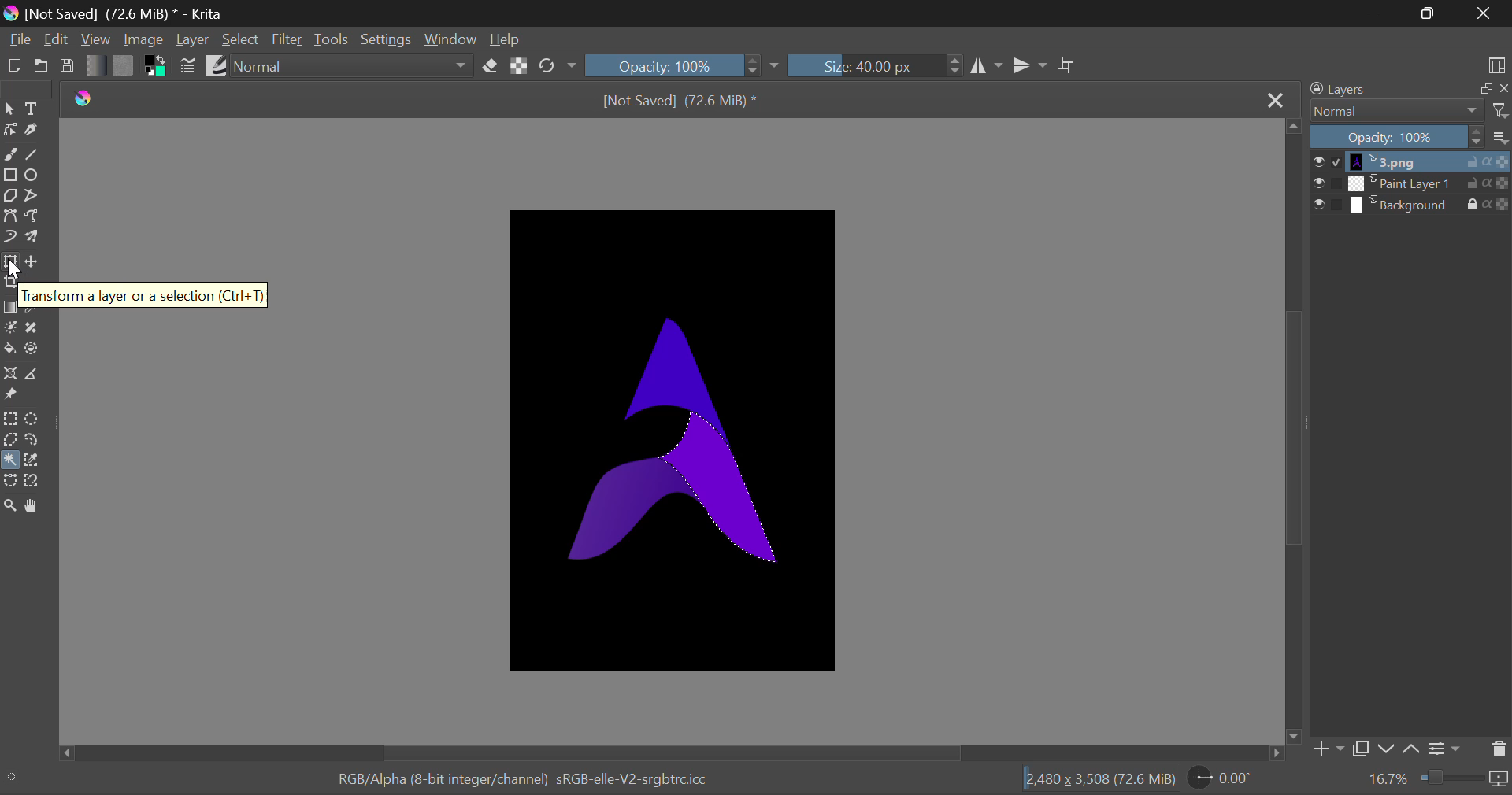  What do you see at coordinates (9, 109) in the screenshot?
I see `Select` at bounding box center [9, 109].